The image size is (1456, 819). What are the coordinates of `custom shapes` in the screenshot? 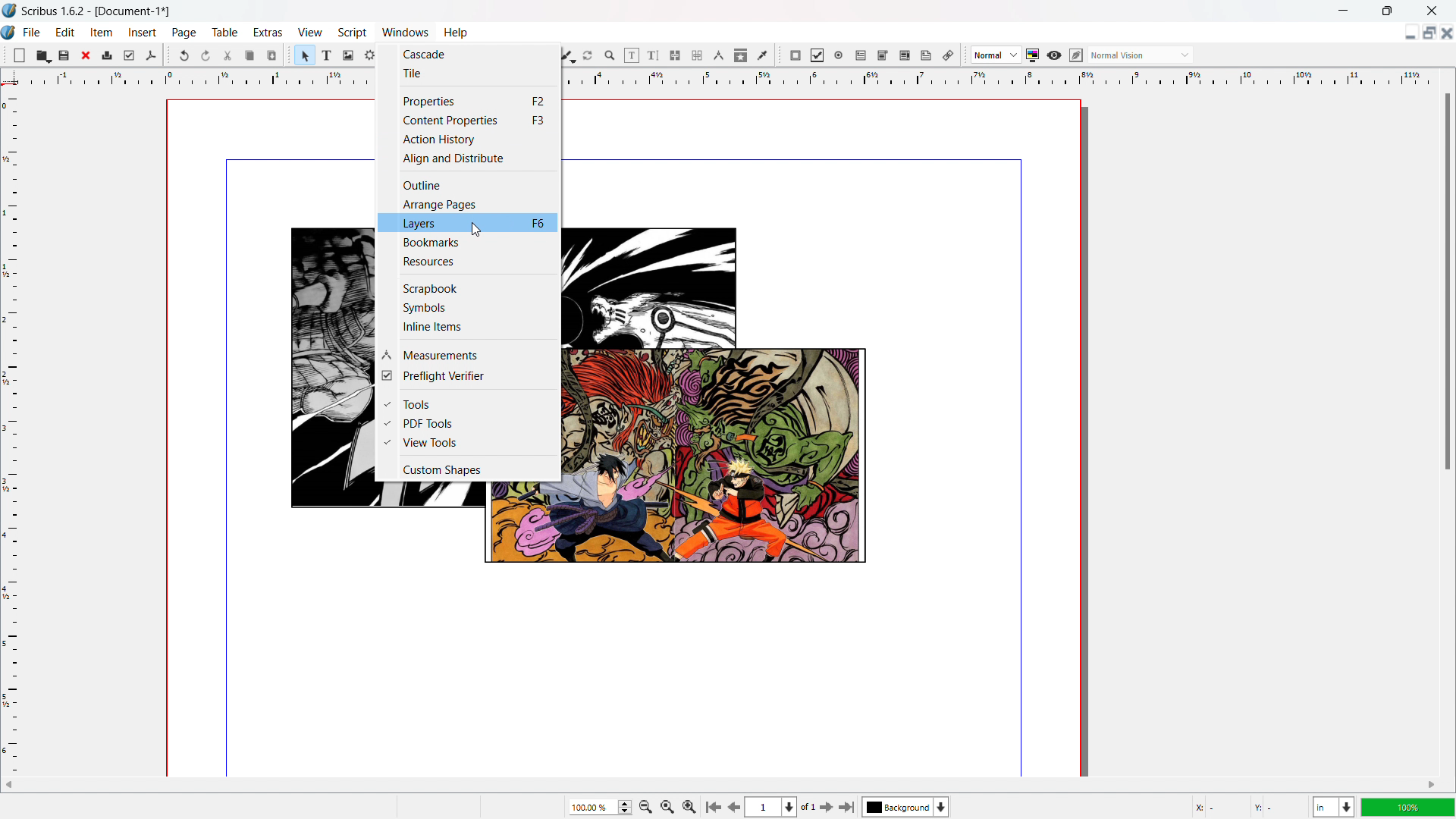 It's located at (468, 469).